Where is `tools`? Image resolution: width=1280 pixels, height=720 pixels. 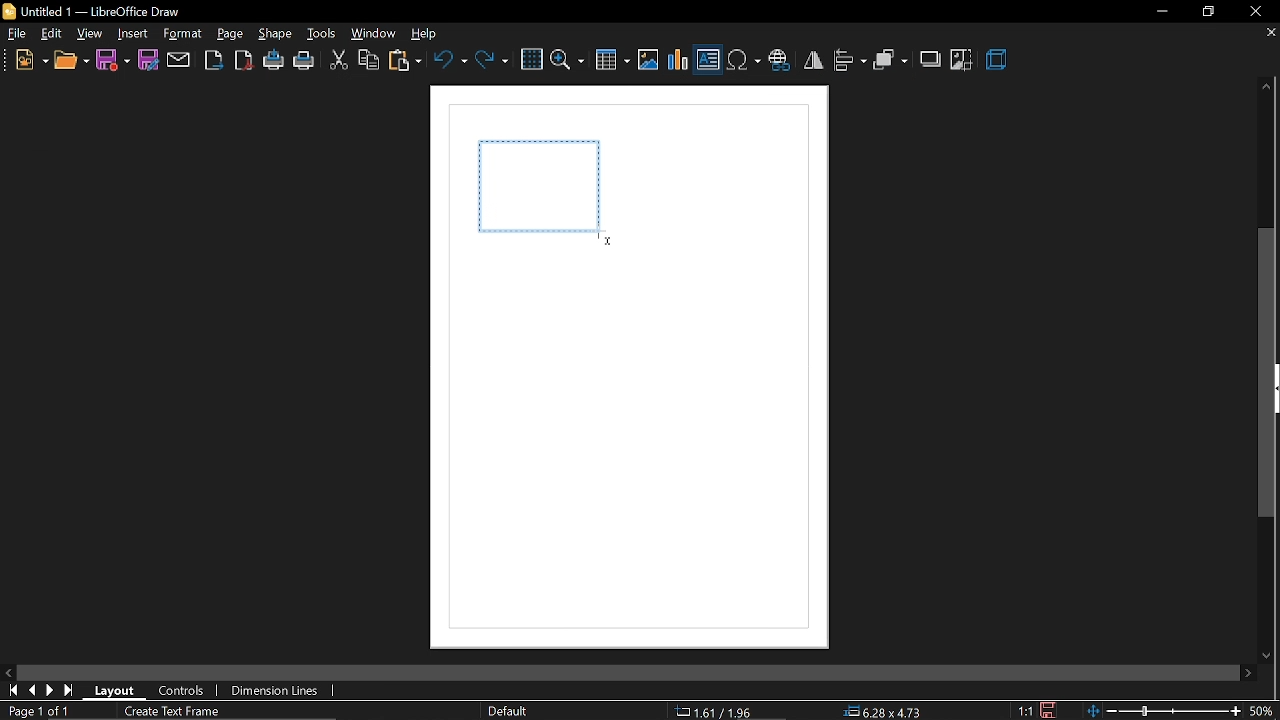
tools is located at coordinates (322, 35).